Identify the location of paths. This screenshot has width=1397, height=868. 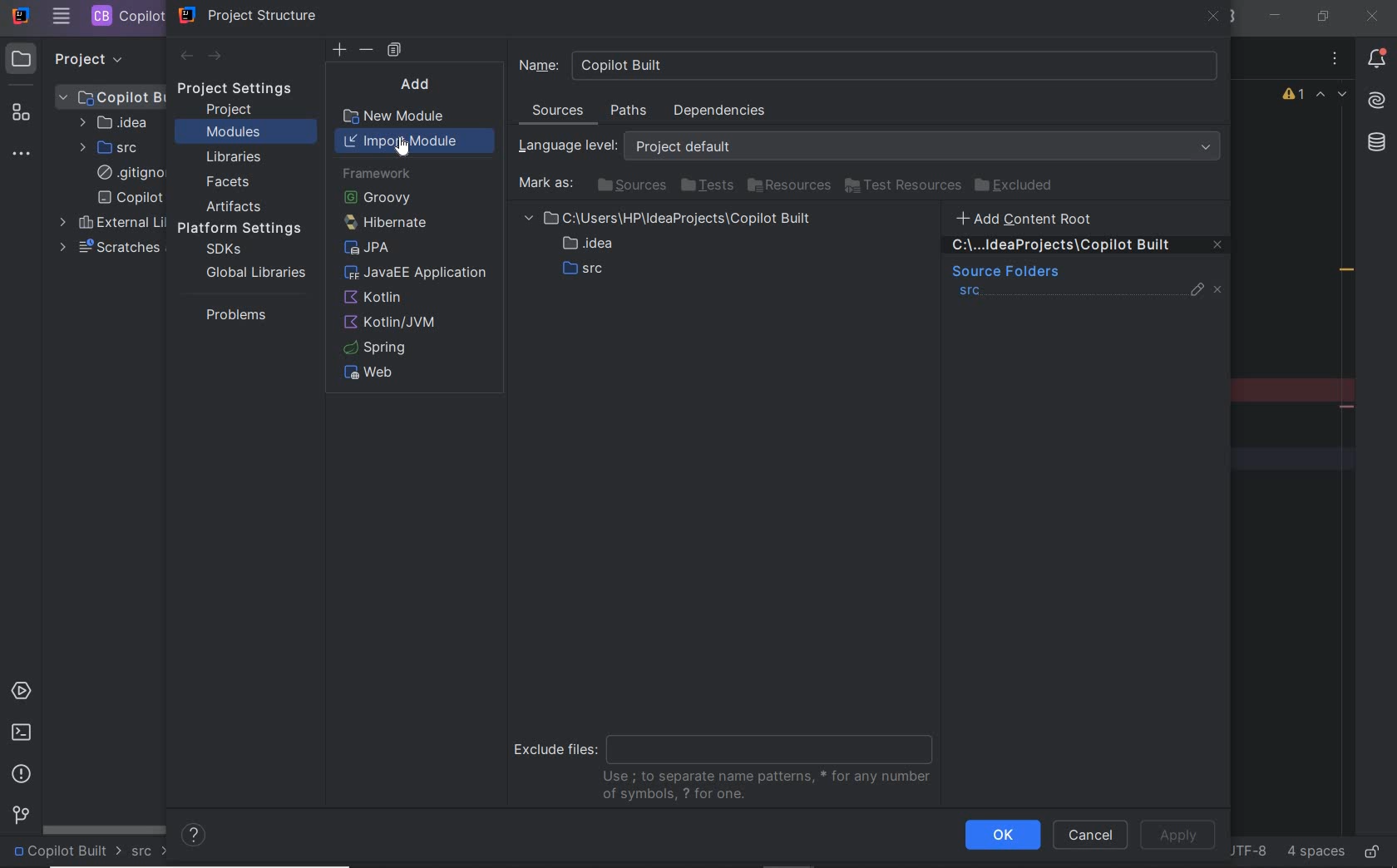
(631, 111).